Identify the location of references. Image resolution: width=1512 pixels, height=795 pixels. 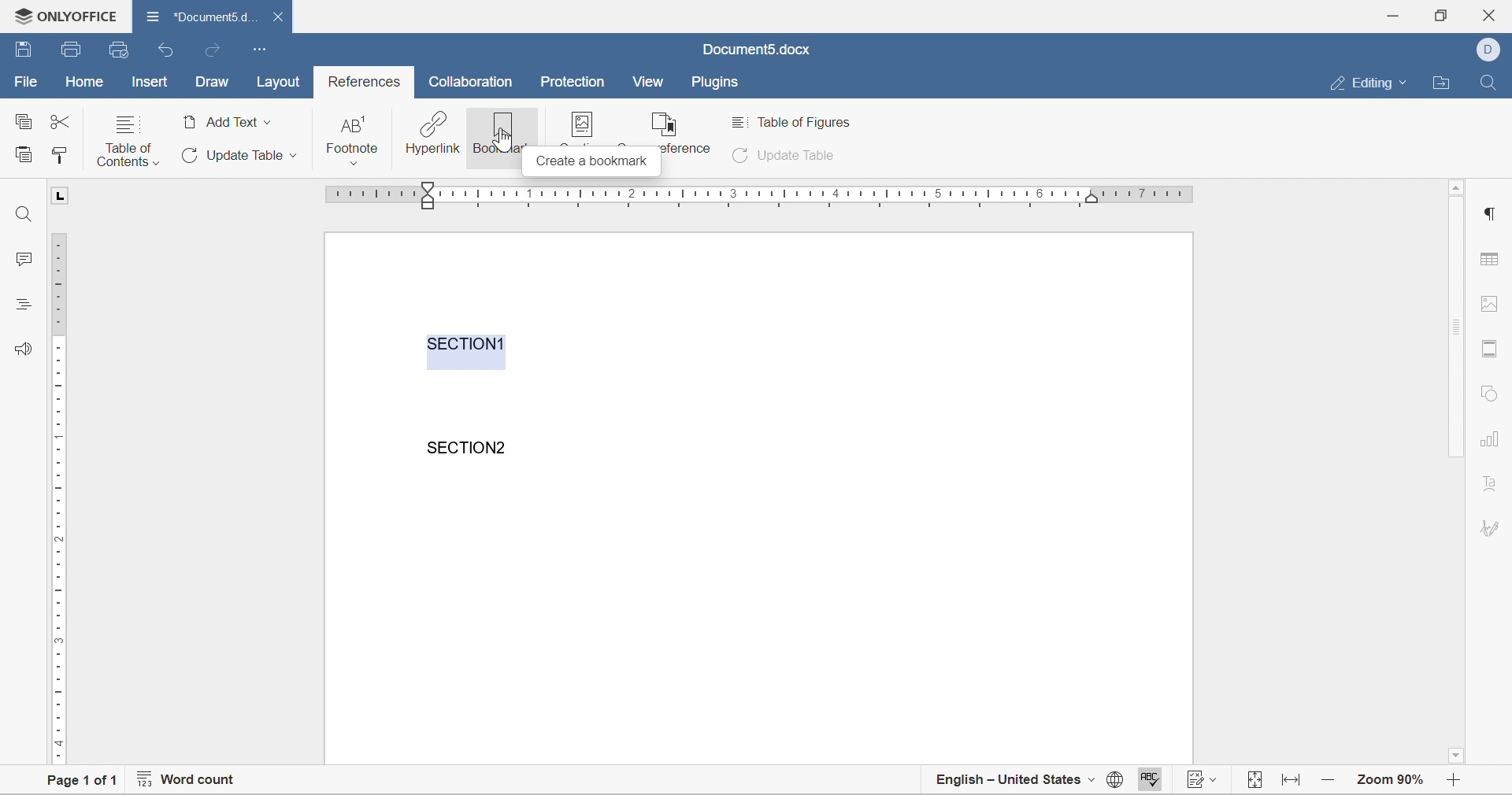
(365, 82).